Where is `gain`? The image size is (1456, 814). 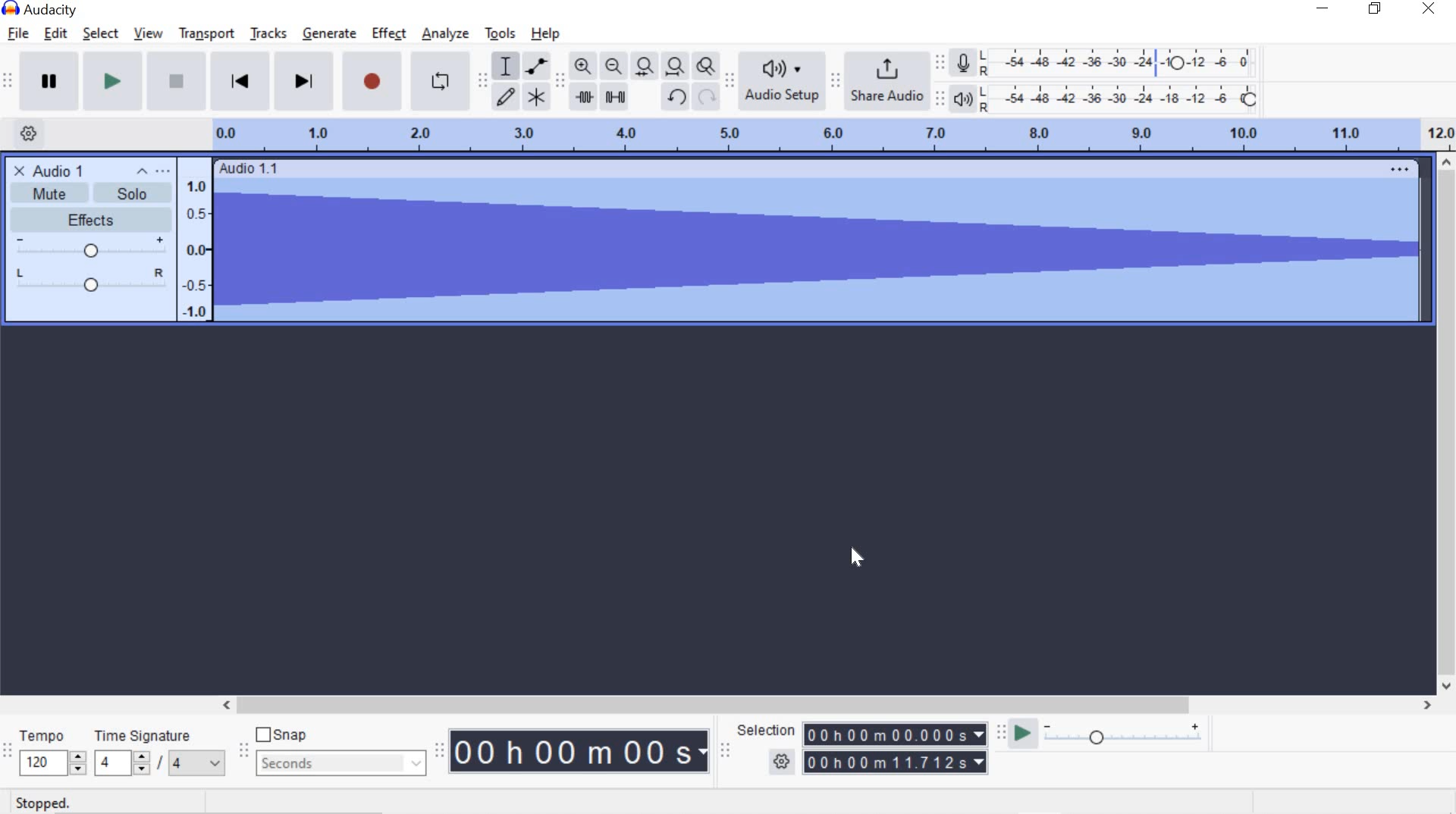
gain is located at coordinates (91, 249).